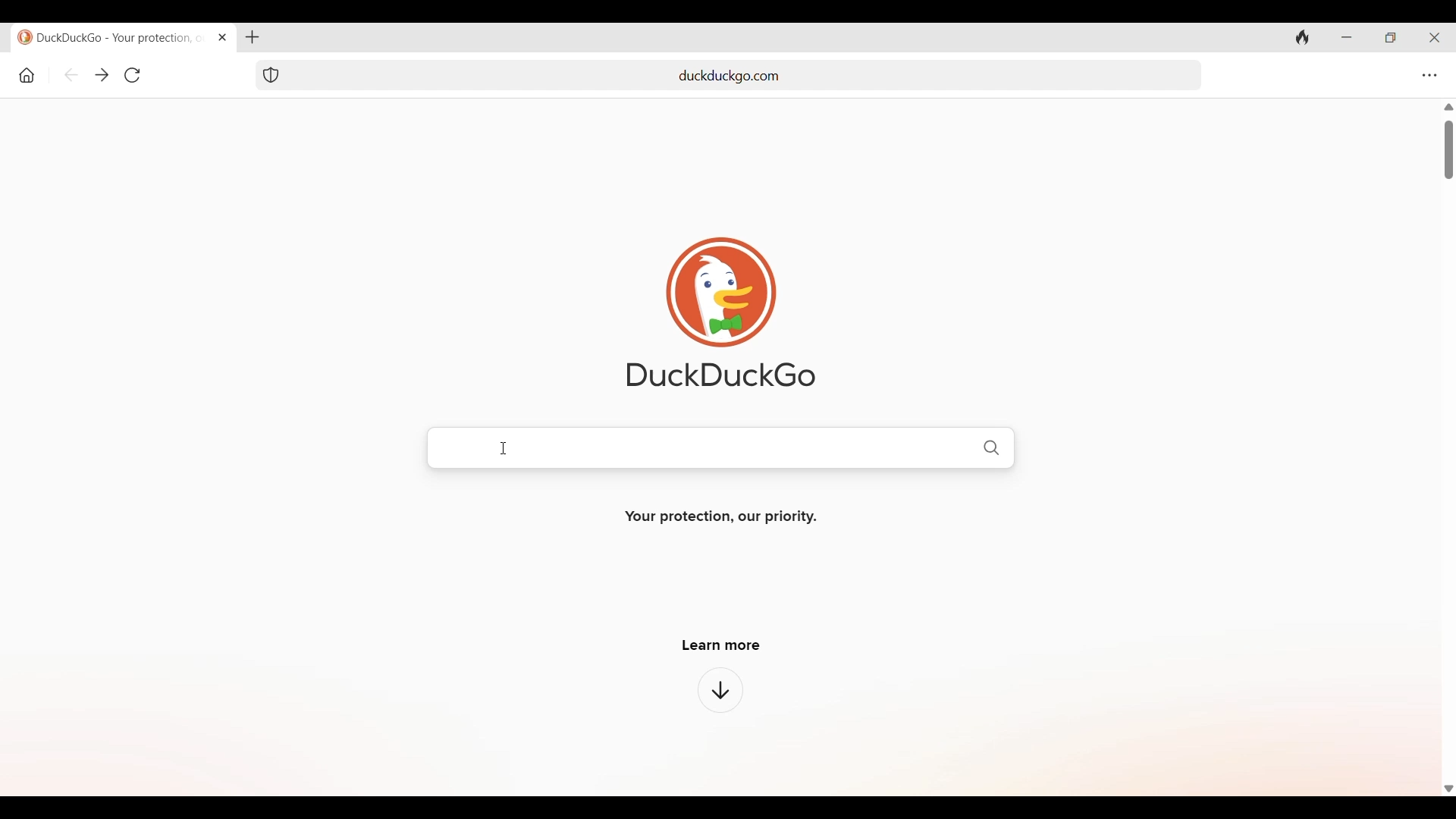  What do you see at coordinates (71, 74) in the screenshot?
I see `Go backward` at bounding box center [71, 74].